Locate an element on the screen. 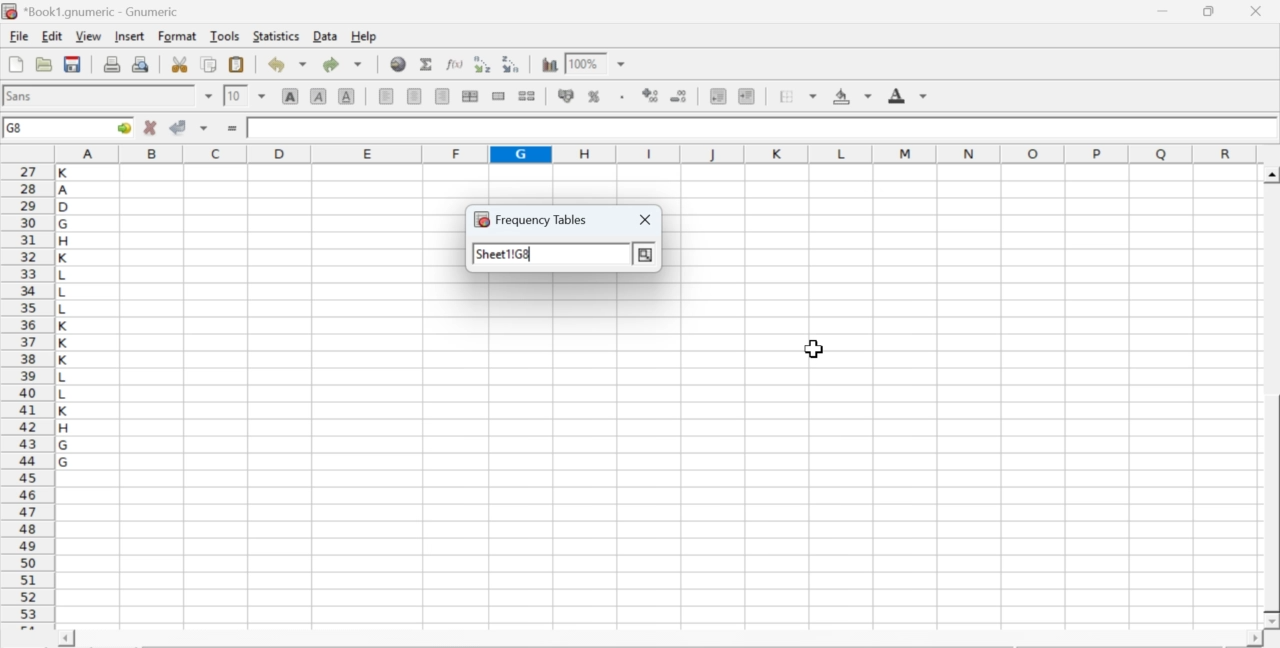 Image resolution: width=1280 pixels, height=648 pixels. format selection as percentage is located at coordinates (592, 96).